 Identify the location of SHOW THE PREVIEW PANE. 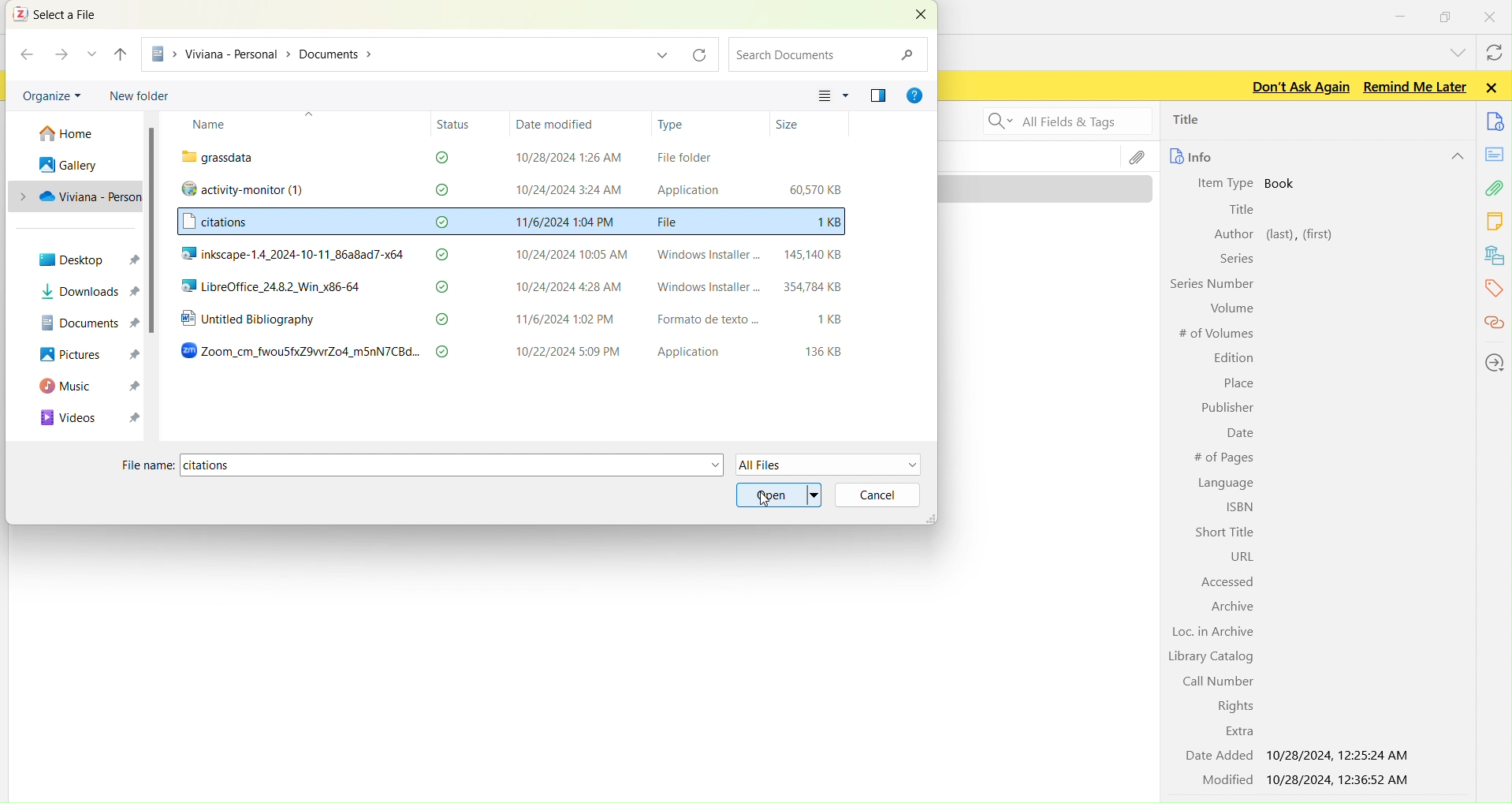
(879, 95).